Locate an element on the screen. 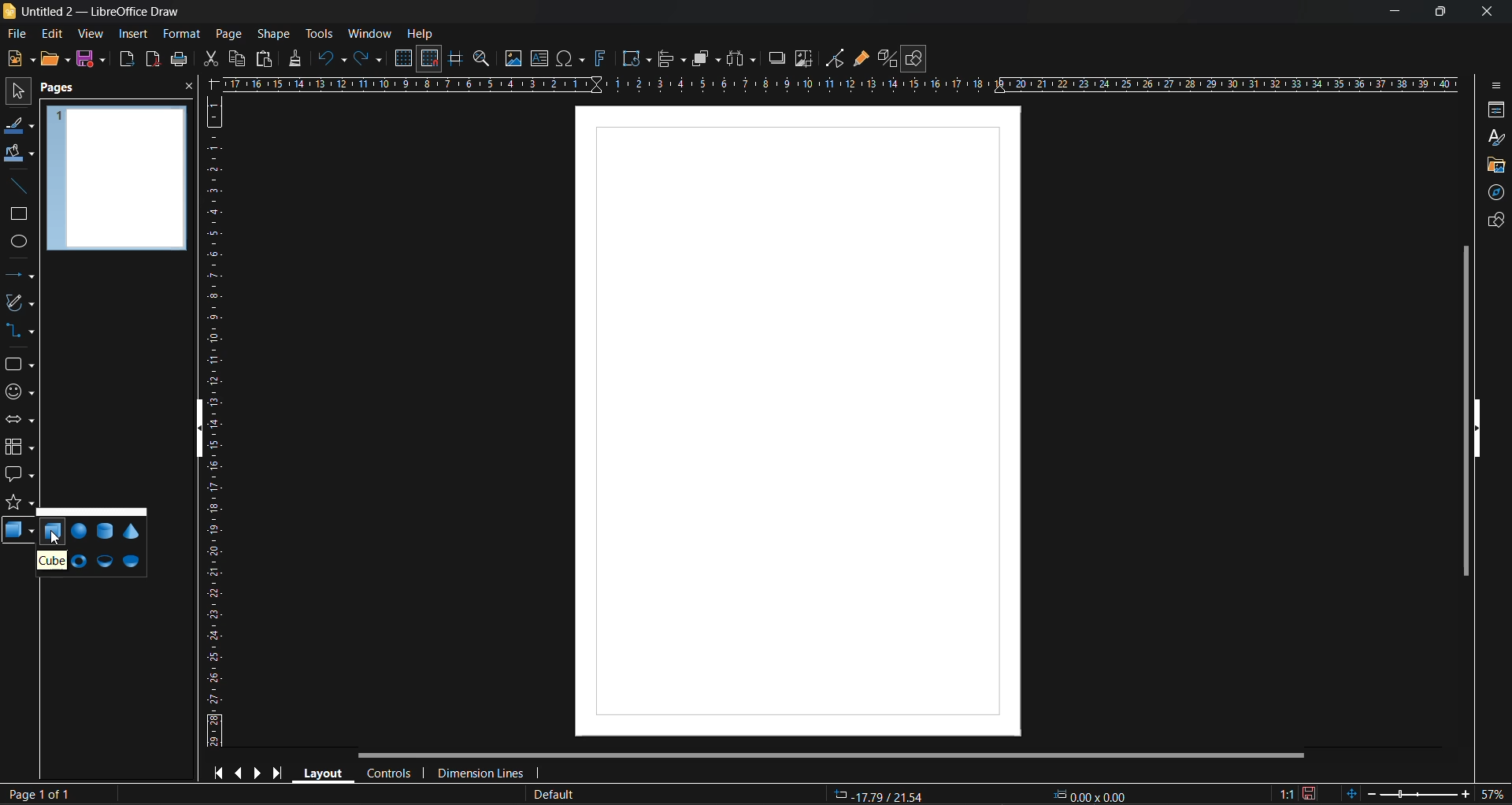 This screenshot has width=1512, height=805. print is located at coordinates (179, 61).